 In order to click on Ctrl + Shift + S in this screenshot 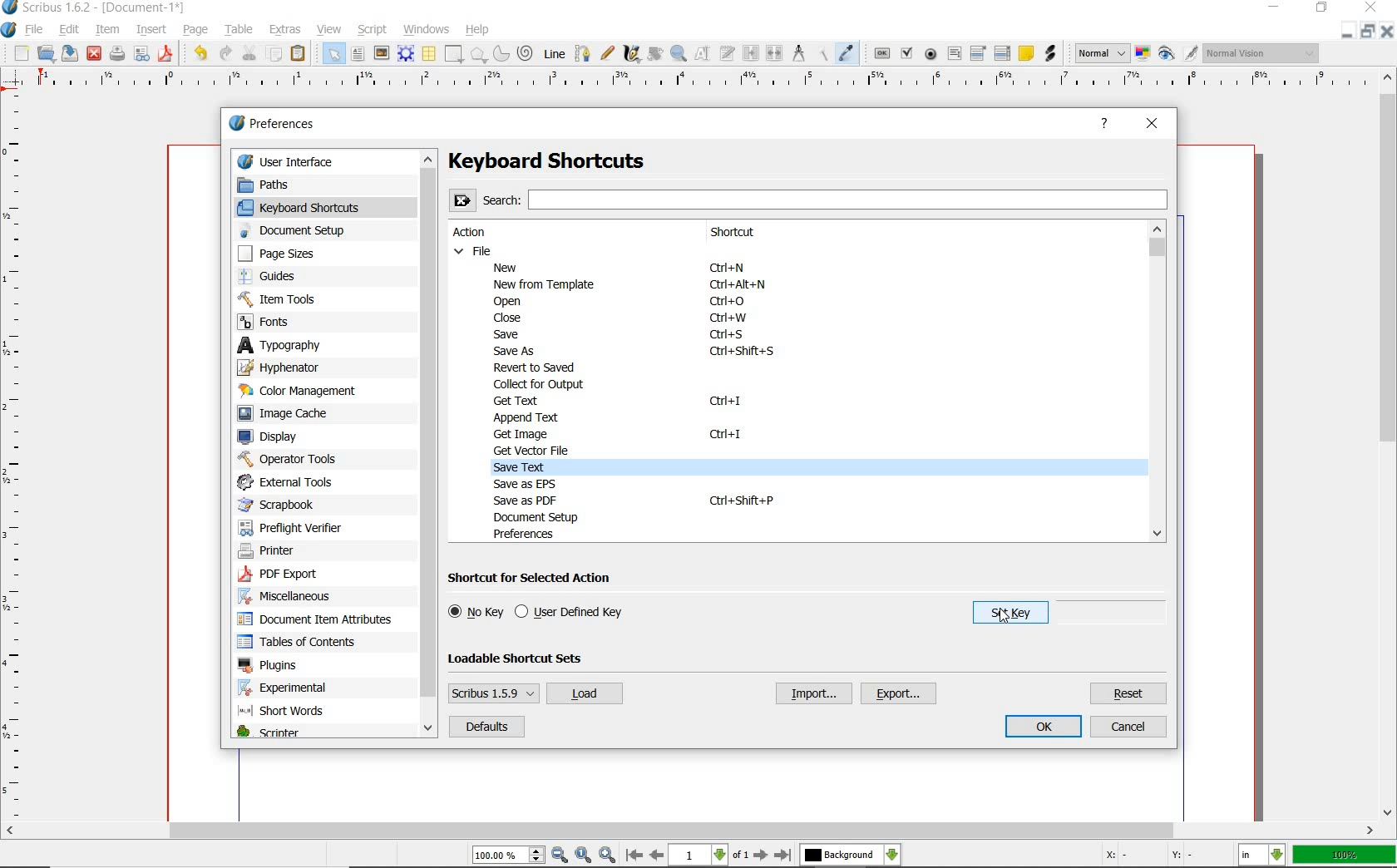, I will do `click(744, 352)`.